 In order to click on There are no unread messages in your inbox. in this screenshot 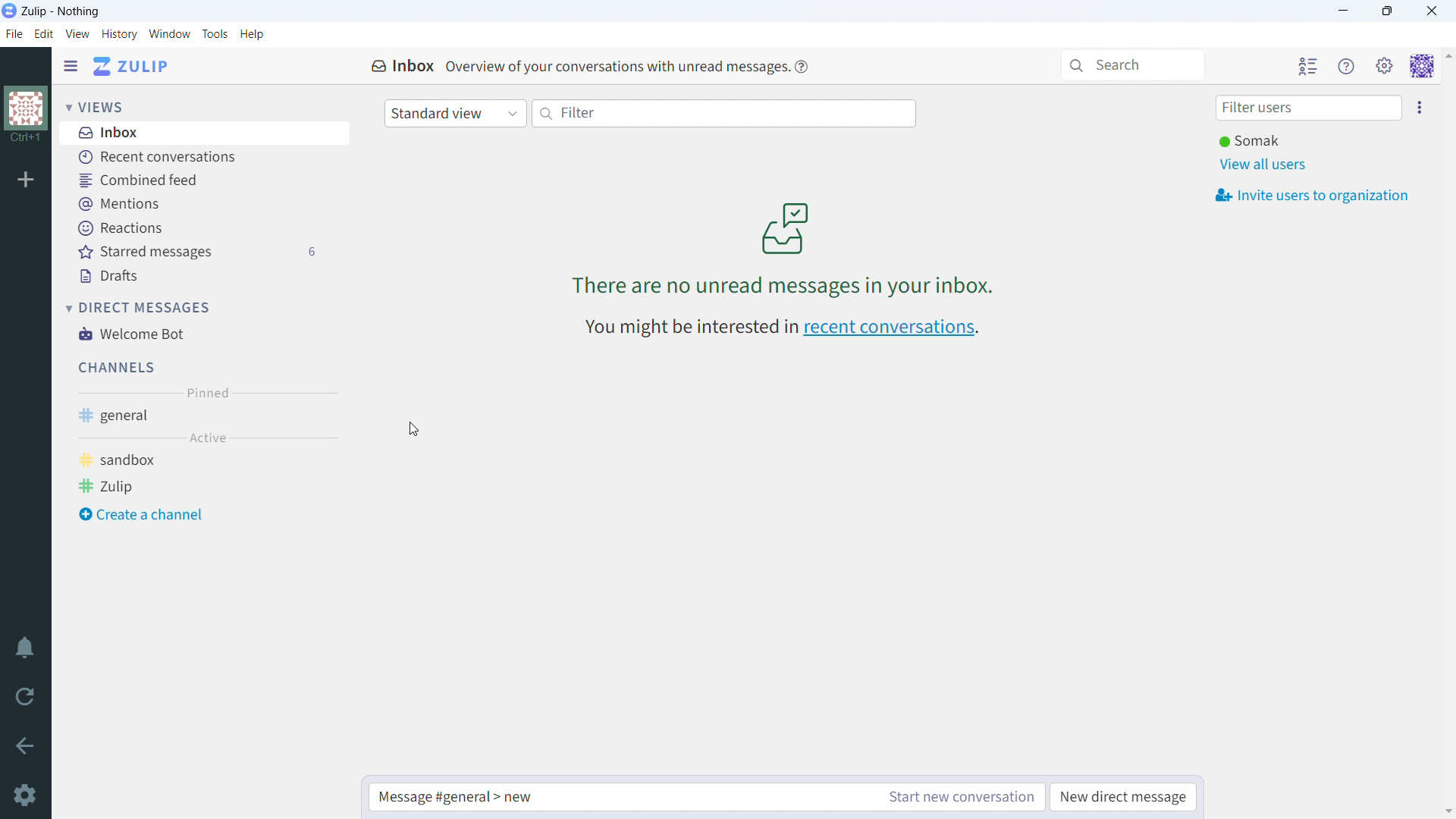, I will do `click(783, 285)`.